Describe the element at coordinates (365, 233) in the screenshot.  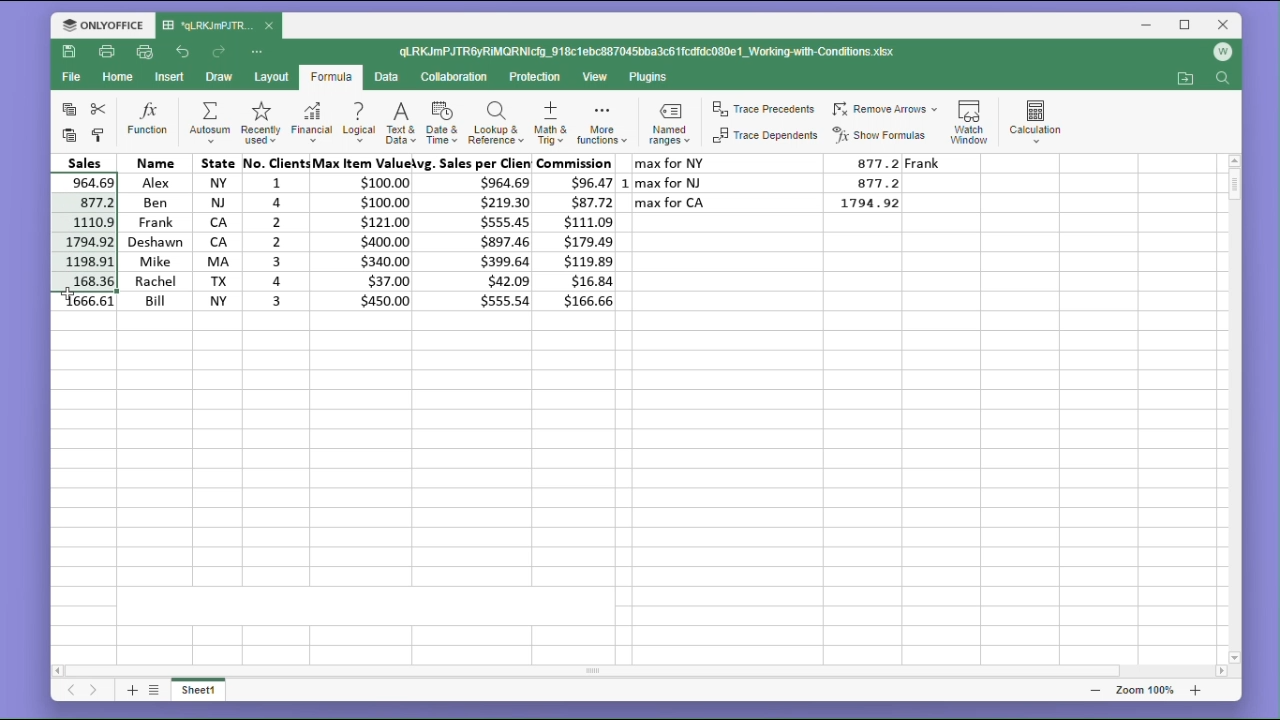
I see `max item values` at that location.